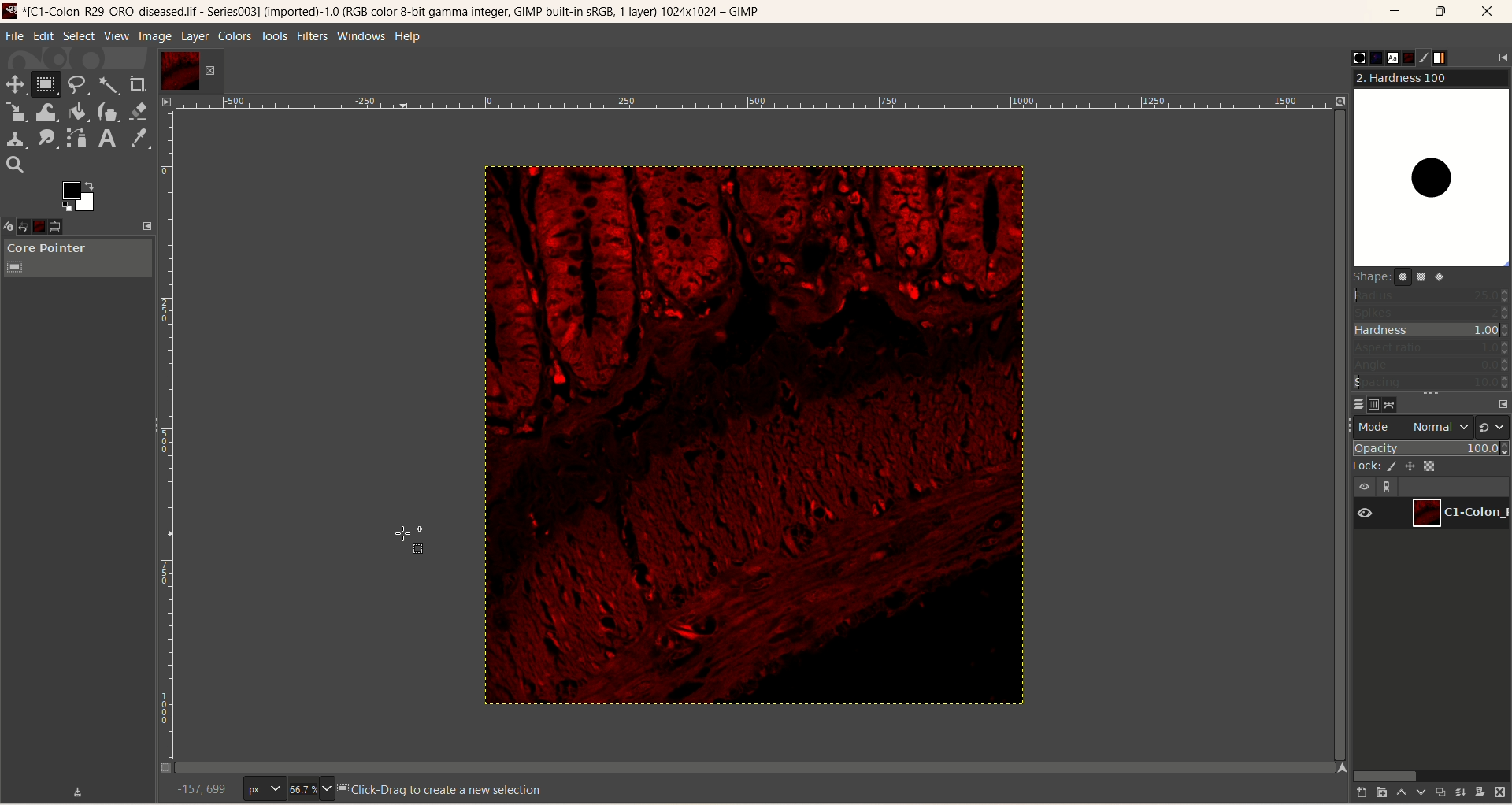  What do you see at coordinates (309, 789) in the screenshot?
I see `zoom factor` at bounding box center [309, 789].